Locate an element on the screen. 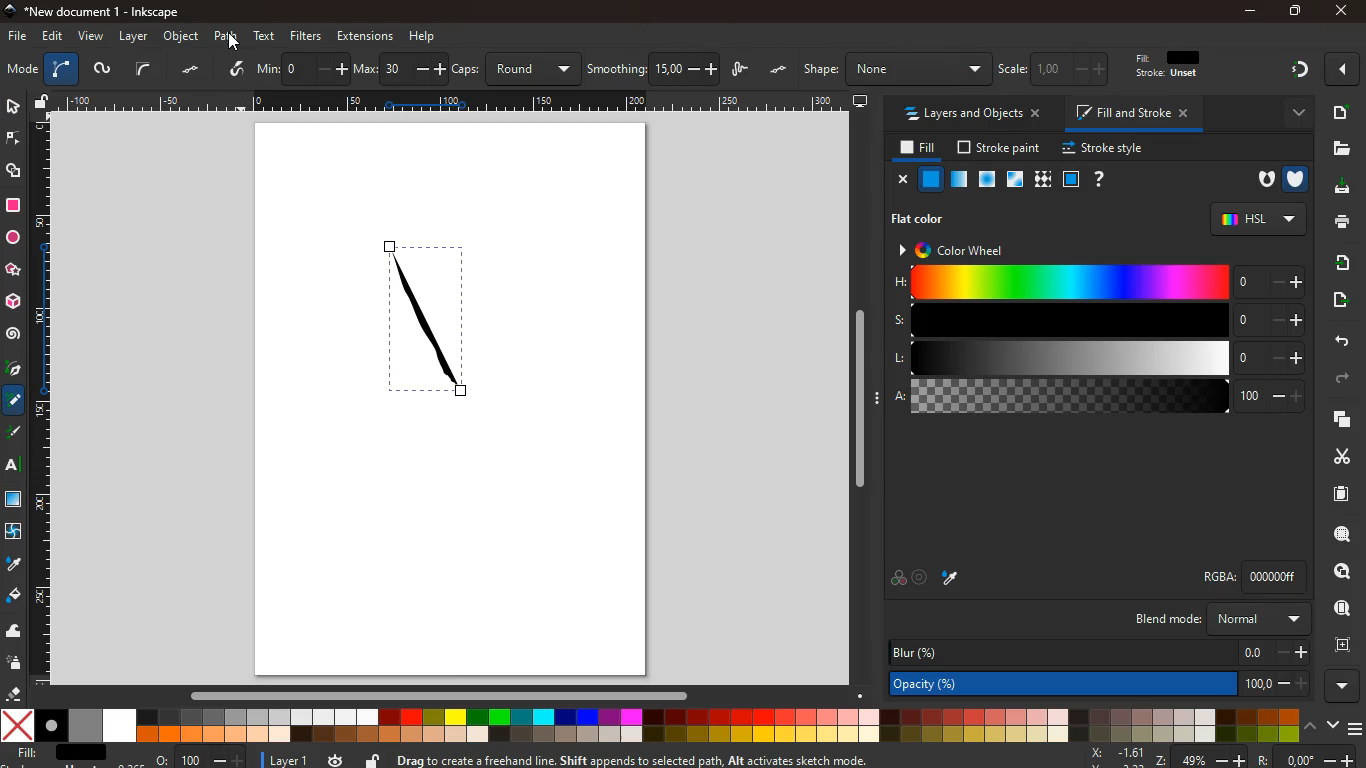  paint is located at coordinates (951, 577).